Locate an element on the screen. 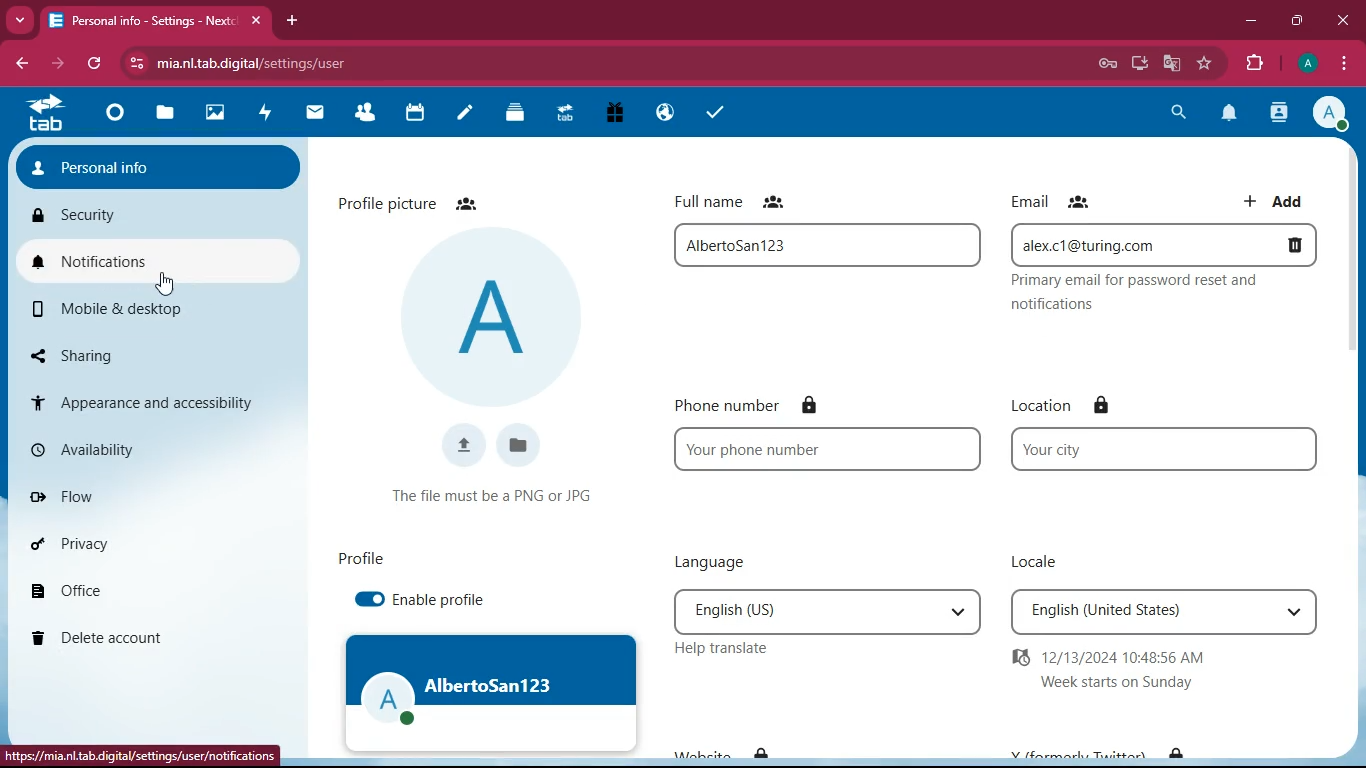  Friends is located at coordinates (472, 204).